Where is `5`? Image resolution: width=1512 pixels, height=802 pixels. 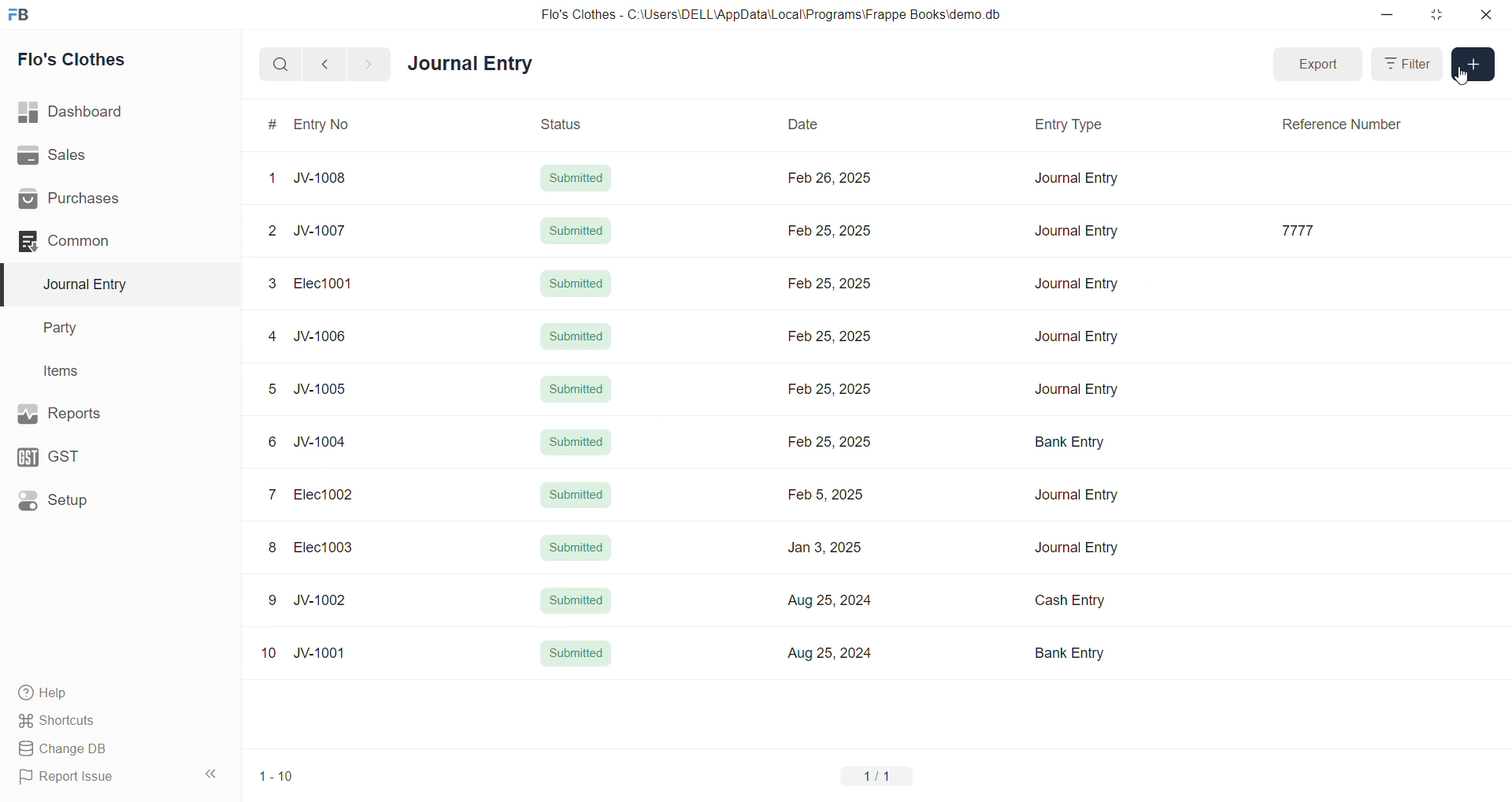
5 is located at coordinates (274, 389).